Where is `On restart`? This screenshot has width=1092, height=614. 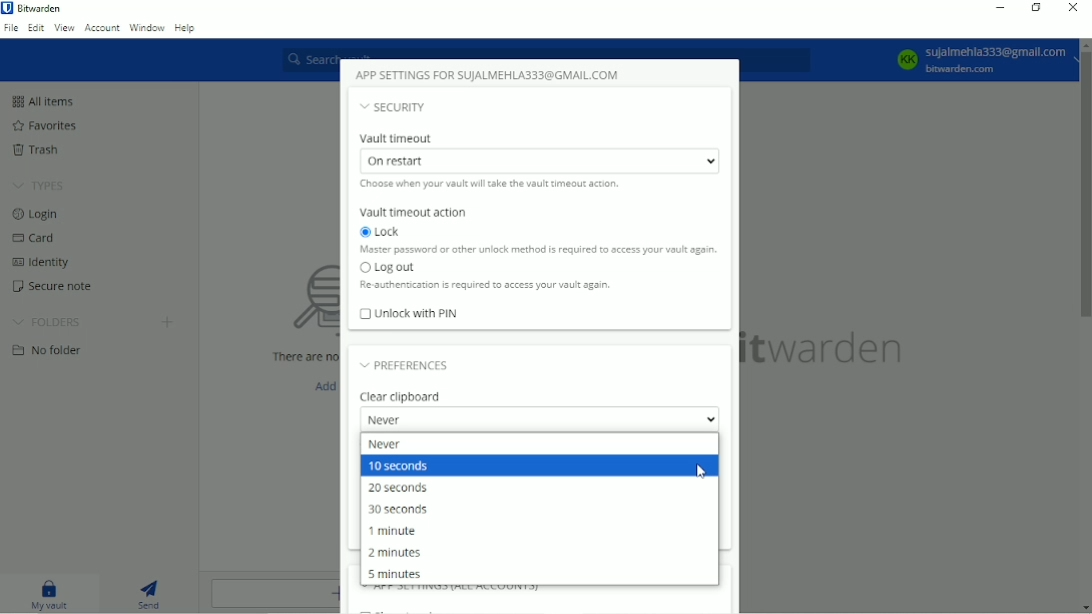 On restart is located at coordinates (535, 160).